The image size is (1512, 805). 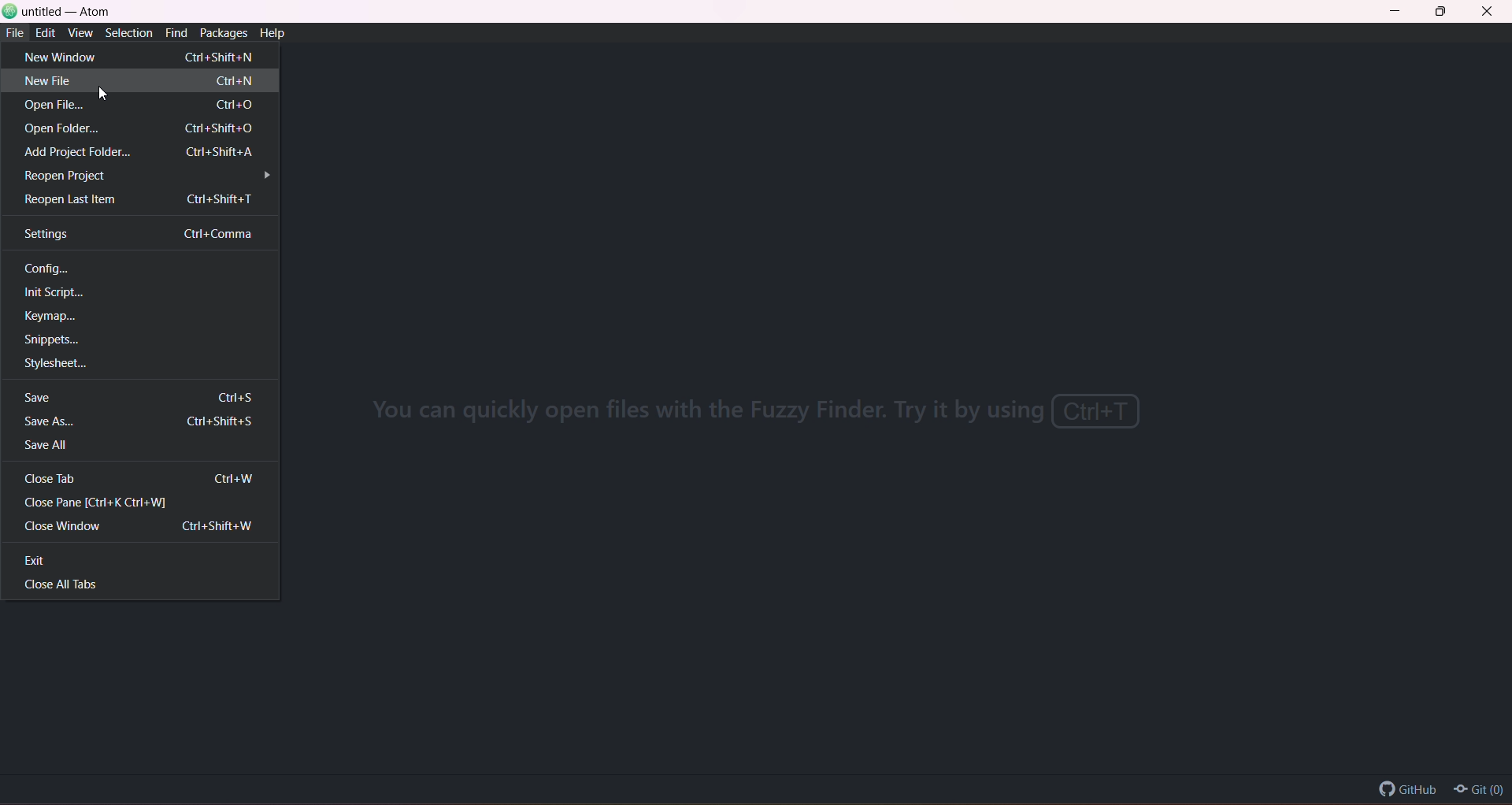 What do you see at coordinates (142, 477) in the screenshot?
I see `Close Tab Ctrl+W` at bounding box center [142, 477].